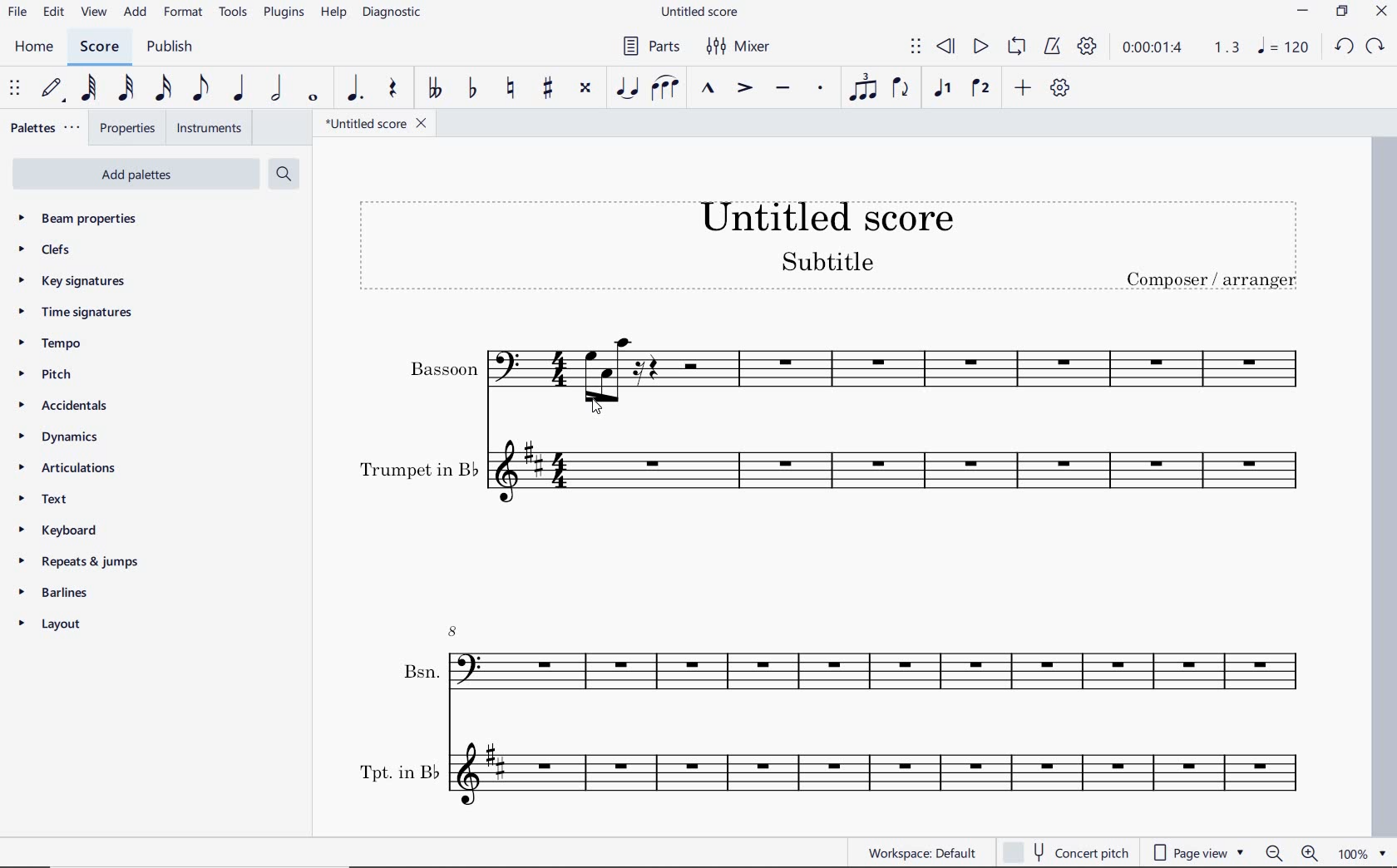 The image size is (1397, 868). What do you see at coordinates (392, 13) in the screenshot?
I see `diagnostic` at bounding box center [392, 13].